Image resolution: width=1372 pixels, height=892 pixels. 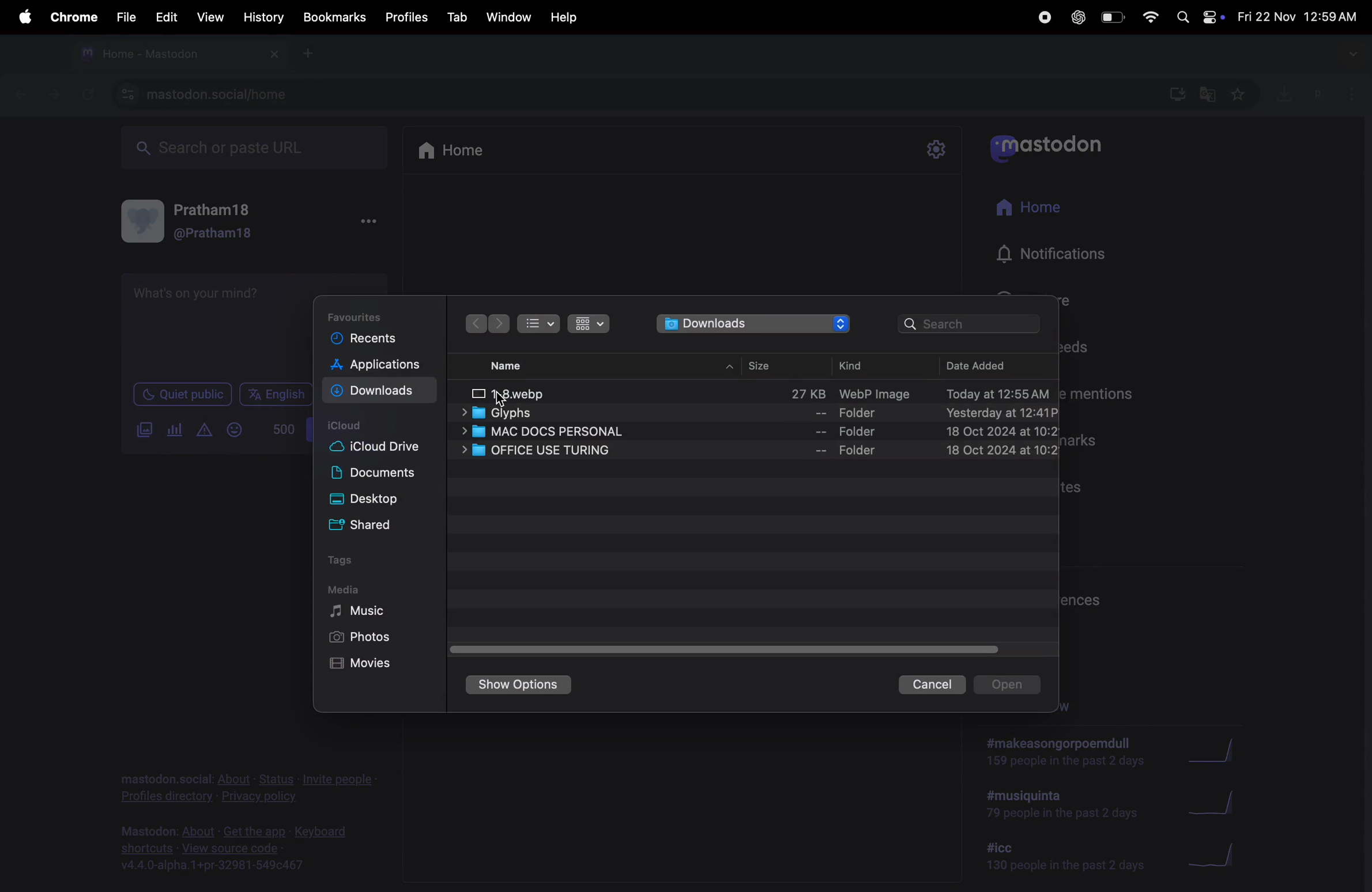 What do you see at coordinates (251, 848) in the screenshot?
I see `source code` at bounding box center [251, 848].